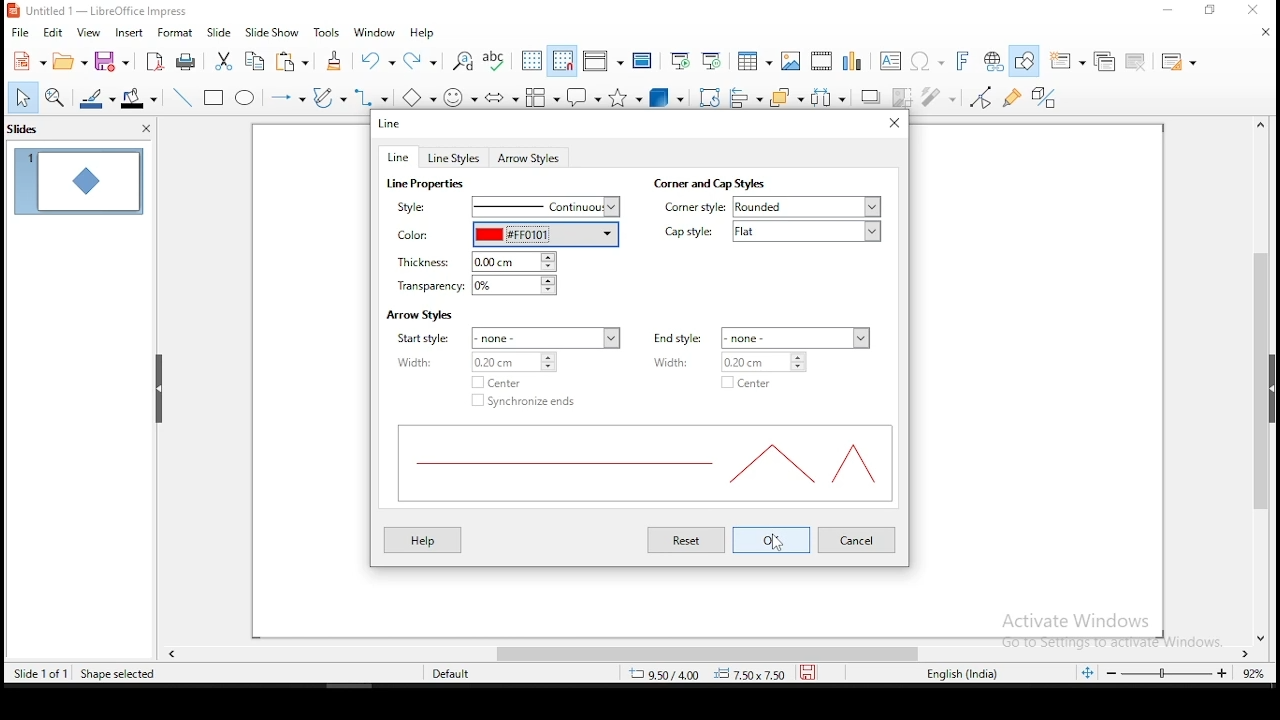 This screenshot has height=720, width=1280. What do you see at coordinates (1265, 633) in the screenshot?
I see `close` at bounding box center [1265, 633].